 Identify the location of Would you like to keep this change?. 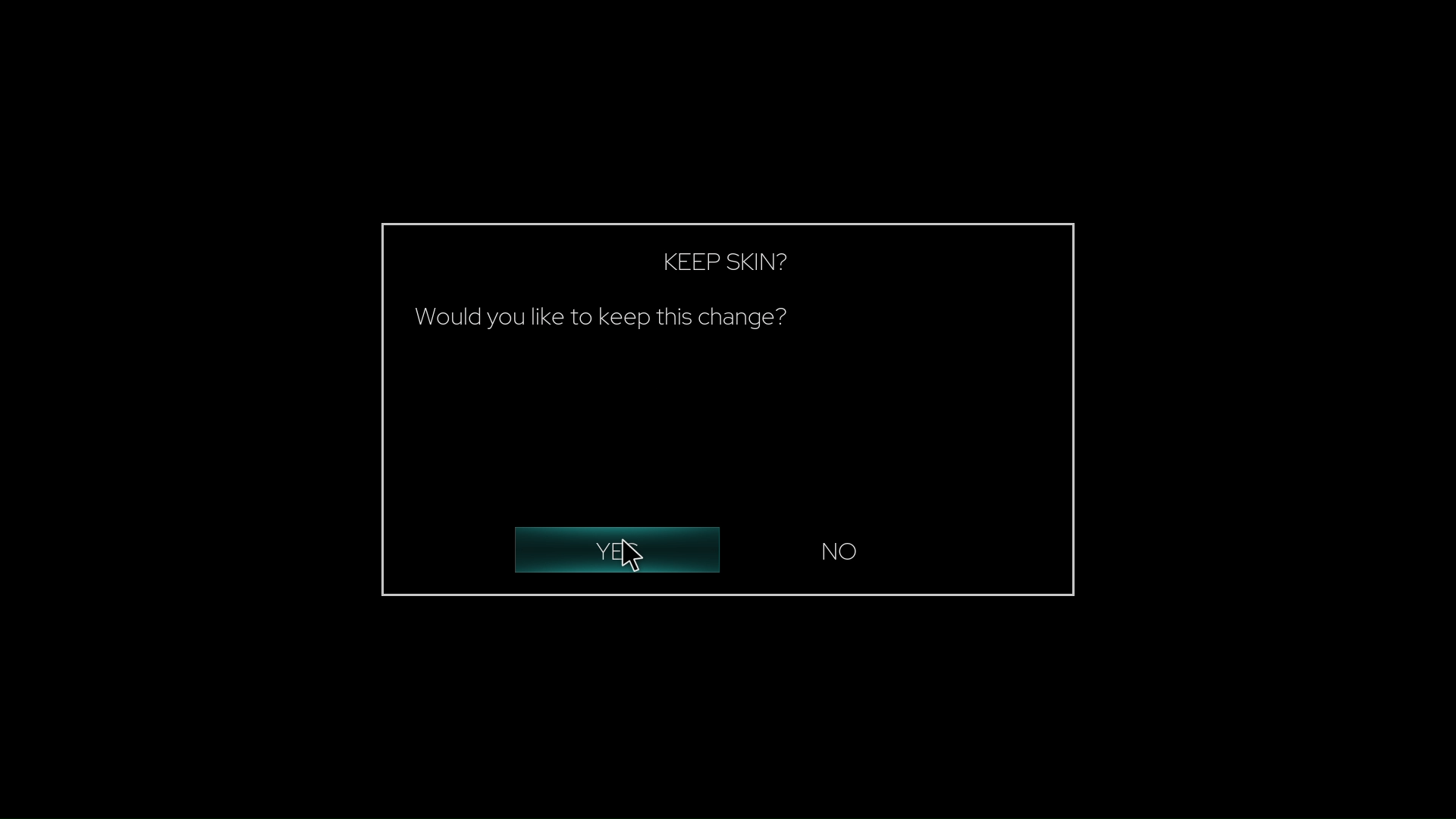
(606, 321).